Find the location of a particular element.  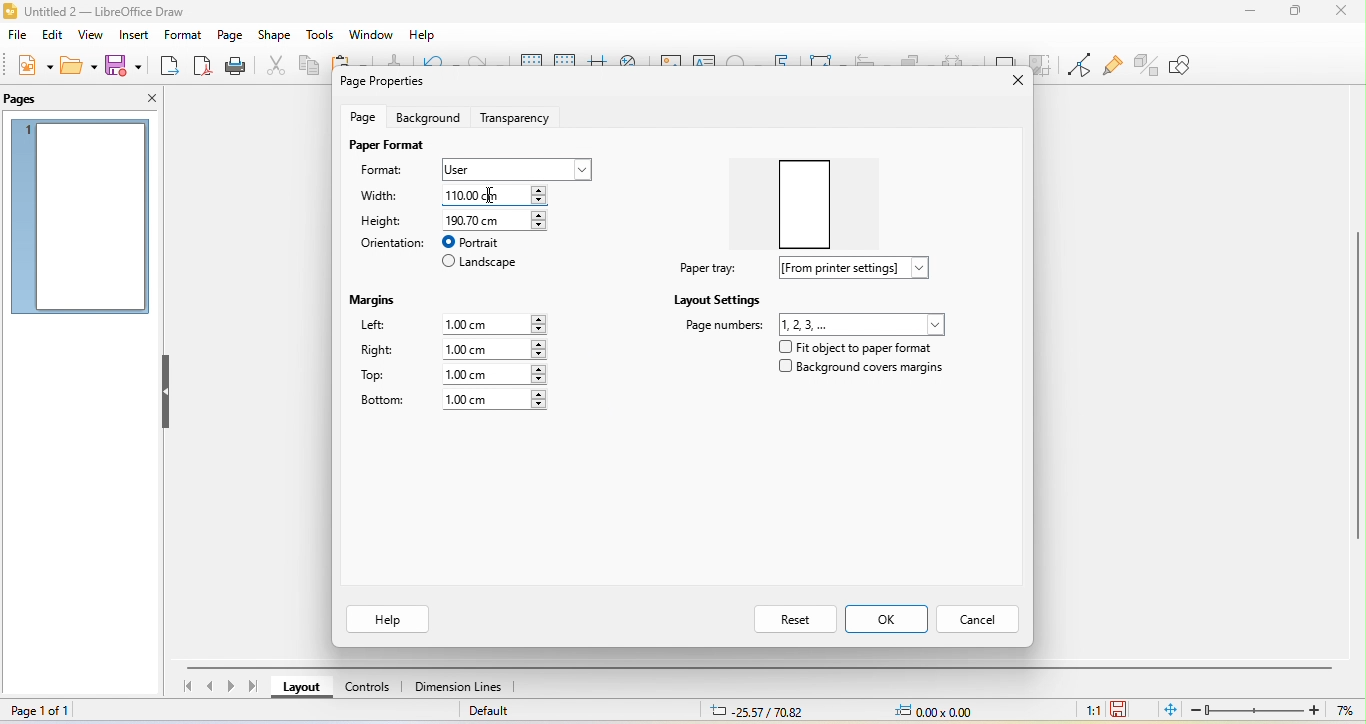

hide is located at coordinates (167, 393).